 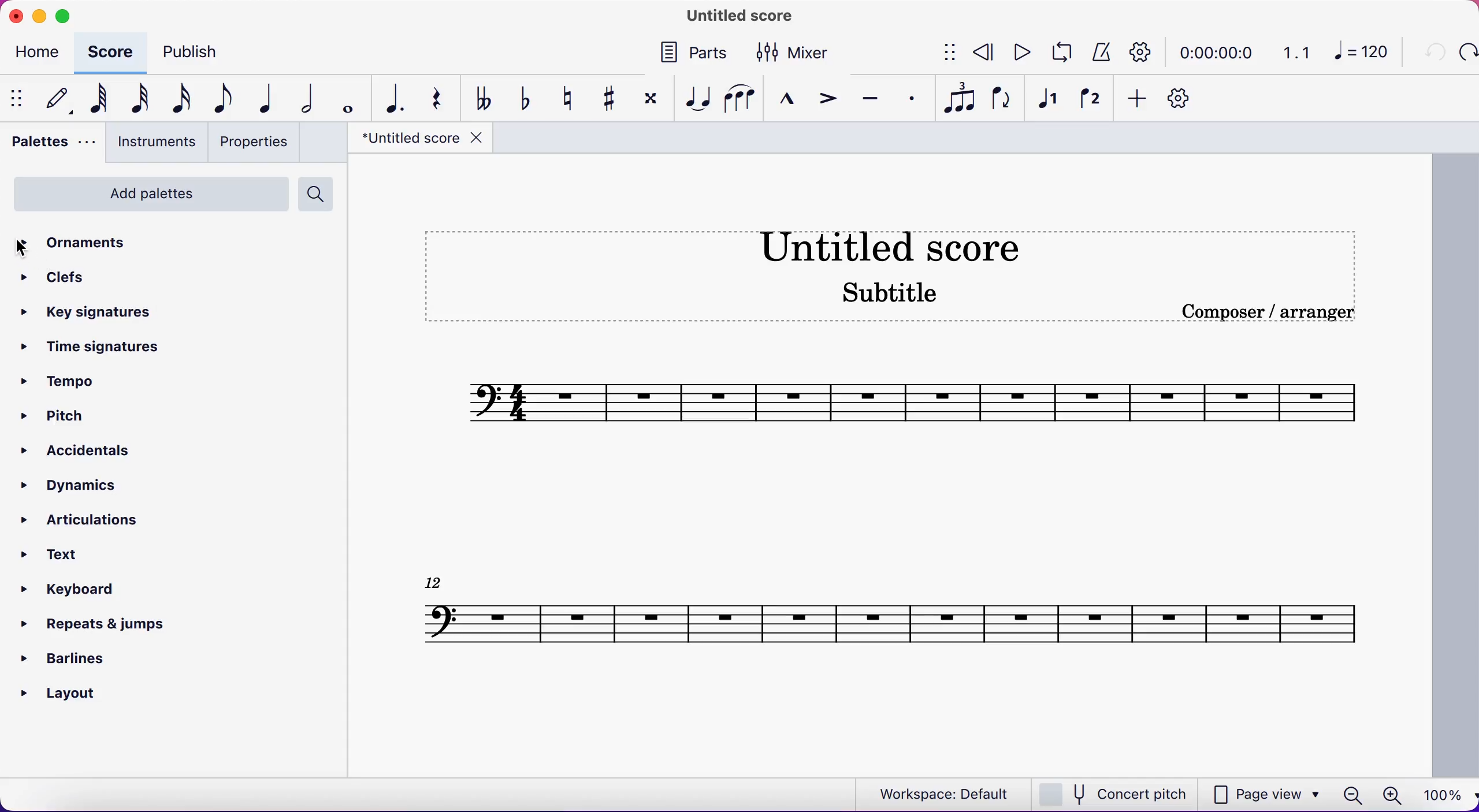 What do you see at coordinates (734, 17) in the screenshot?
I see `title` at bounding box center [734, 17].